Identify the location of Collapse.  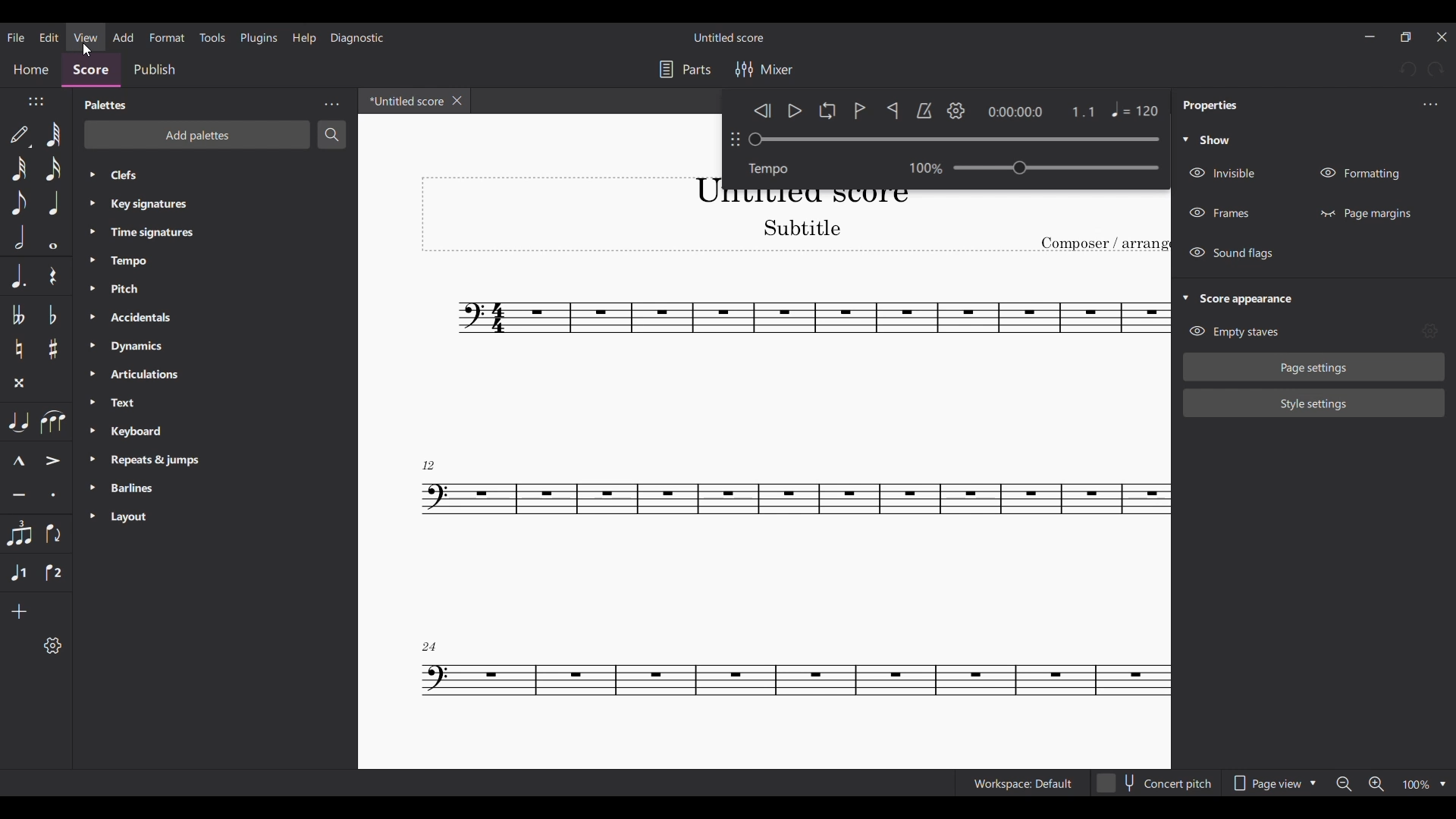
(1185, 297).